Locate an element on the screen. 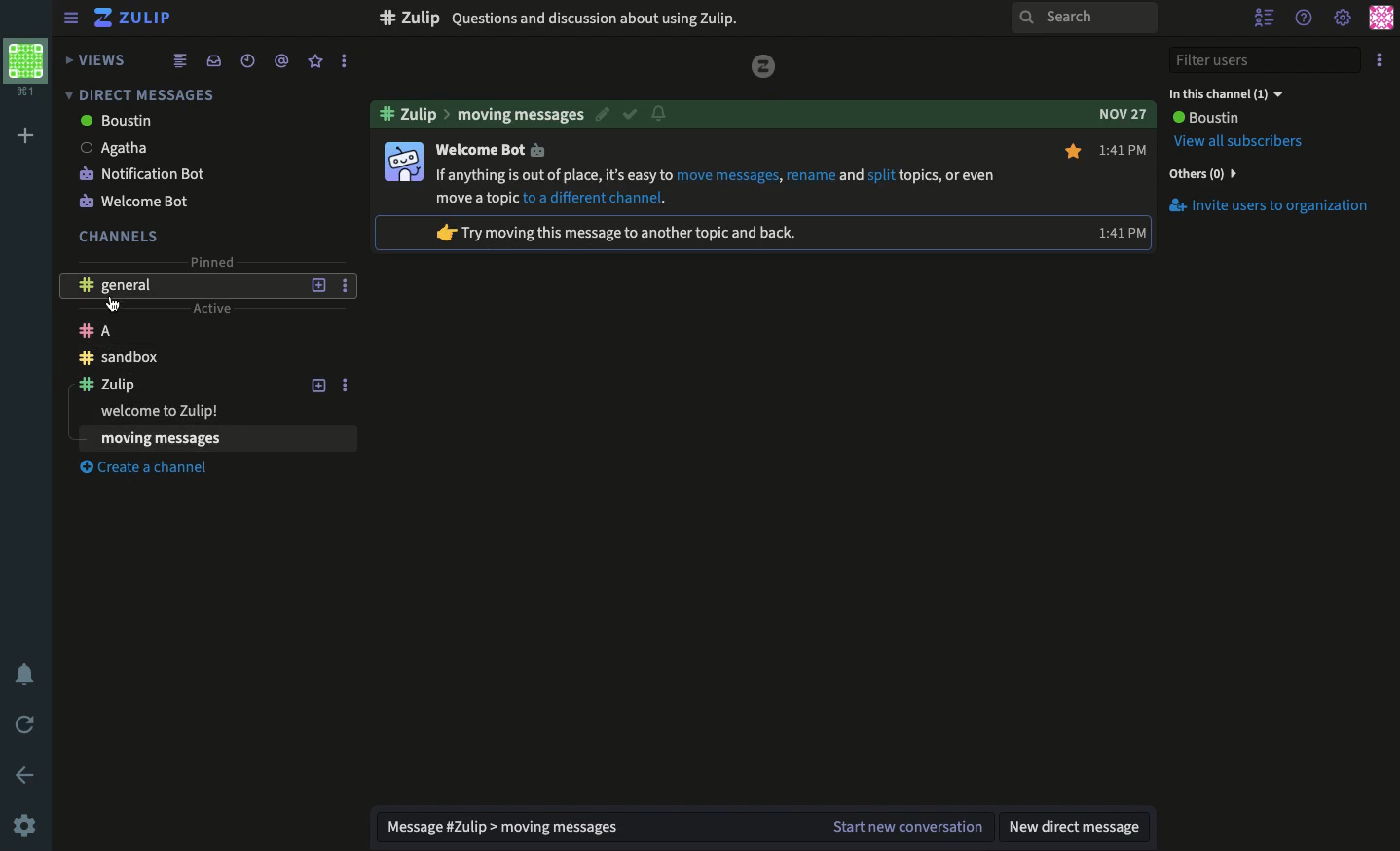 This screenshot has width=1400, height=851. Filter users is located at coordinates (1266, 61).